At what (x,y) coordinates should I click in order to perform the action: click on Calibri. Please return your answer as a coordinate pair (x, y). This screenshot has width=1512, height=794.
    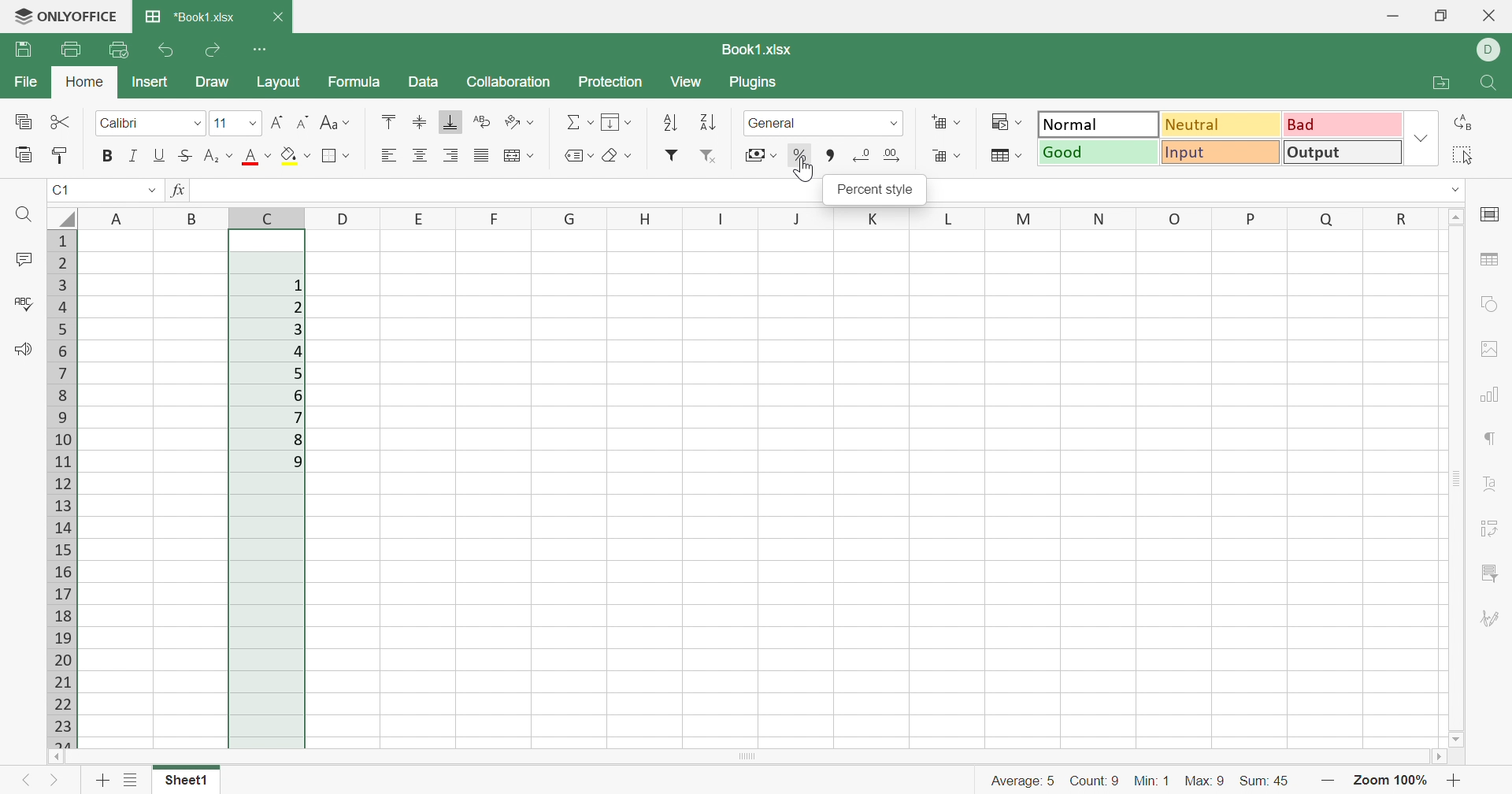
    Looking at the image, I should click on (120, 123).